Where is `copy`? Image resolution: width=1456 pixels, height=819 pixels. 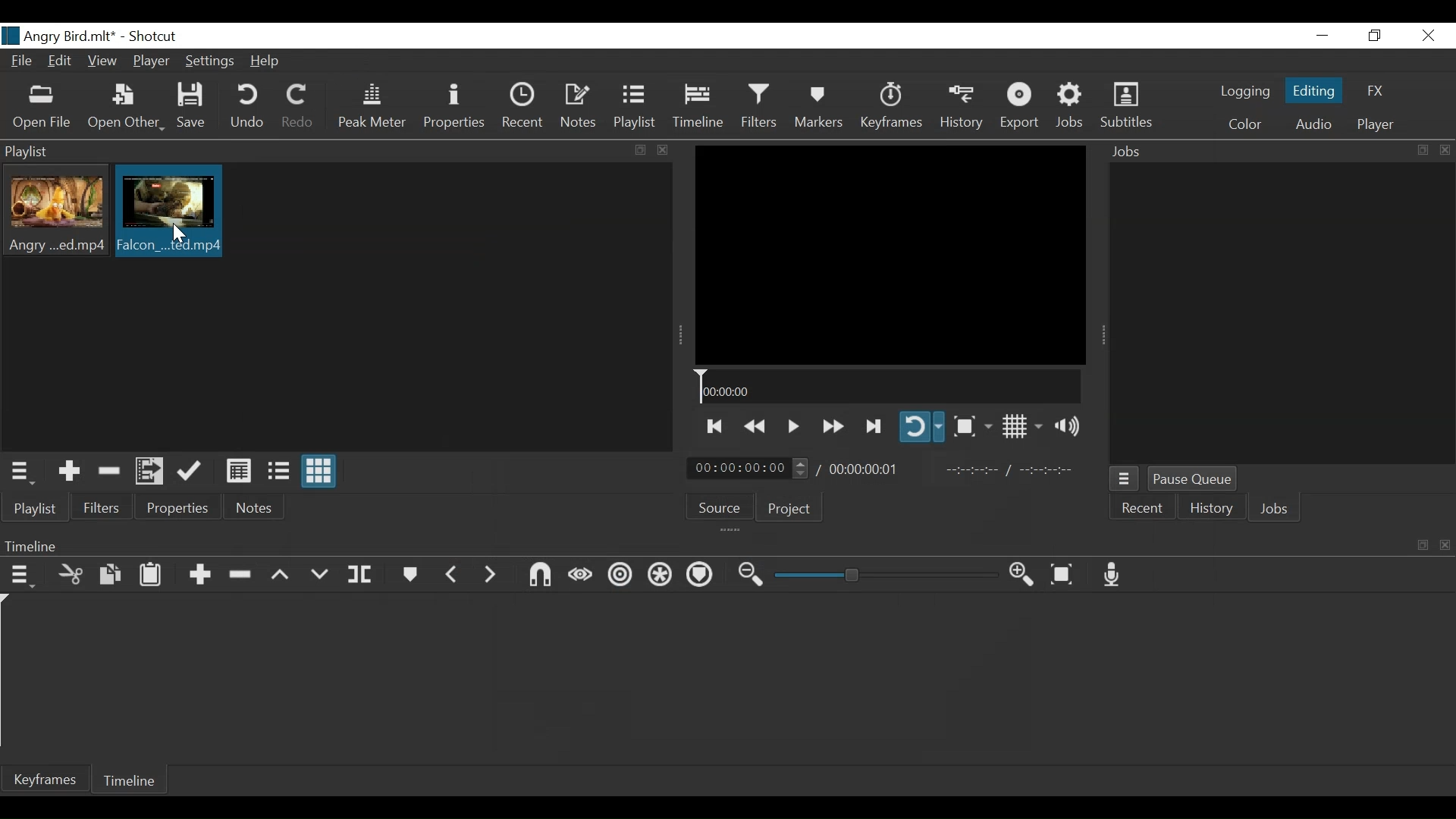 copy is located at coordinates (1423, 545).